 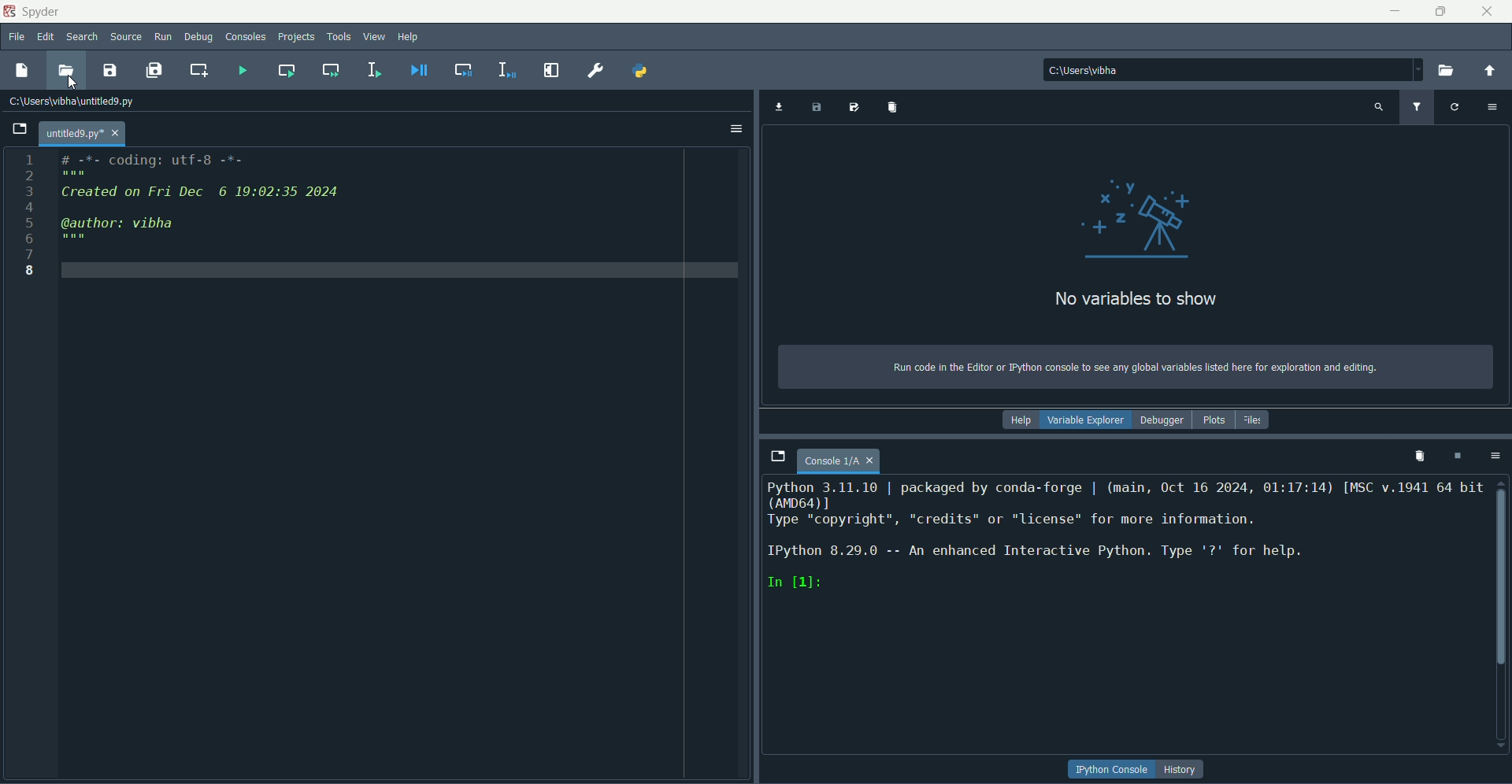 What do you see at coordinates (1254, 419) in the screenshot?
I see `files` at bounding box center [1254, 419].